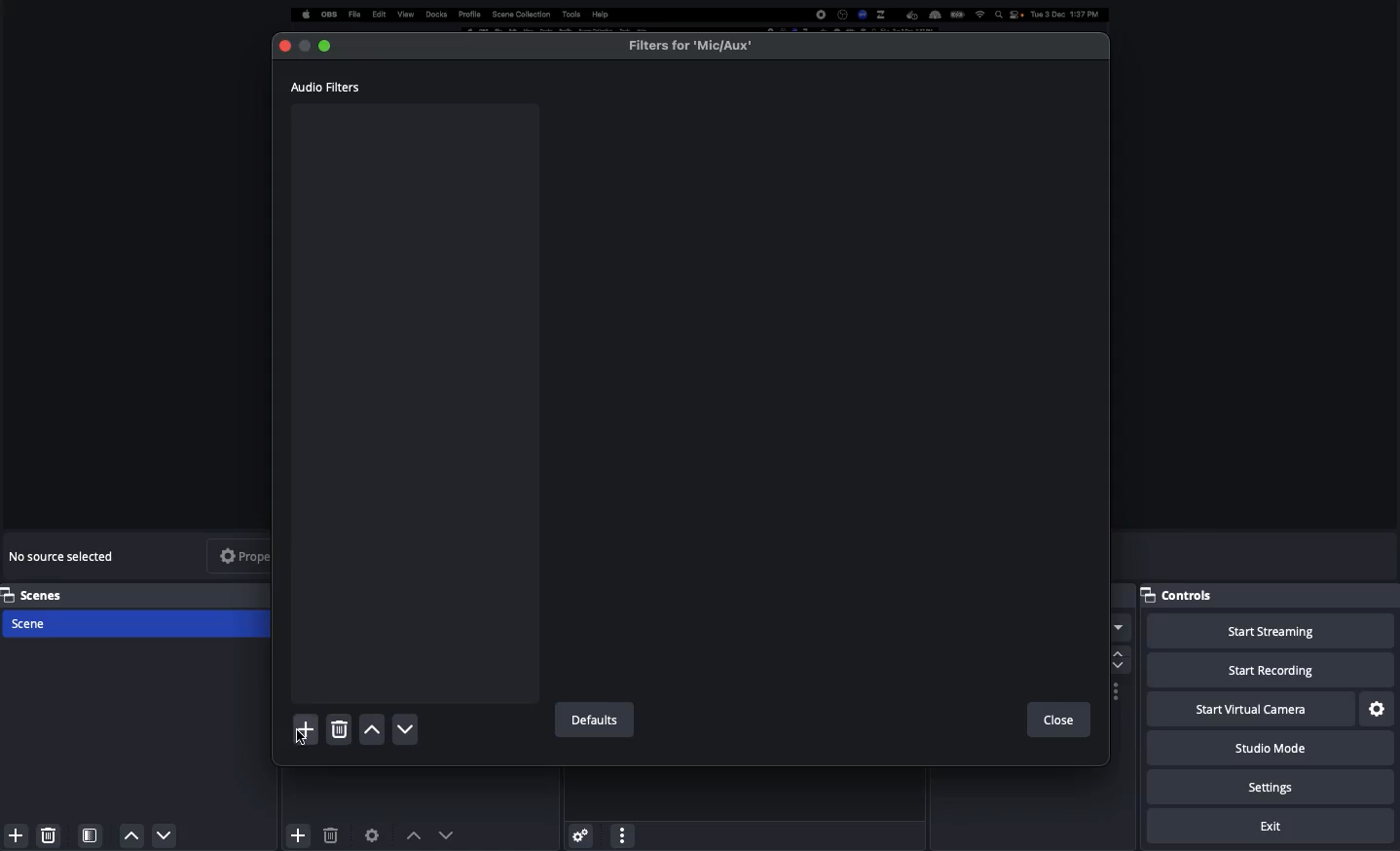  Describe the element at coordinates (1270, 632) in the screenshot. I see `Start streaming` at that location.